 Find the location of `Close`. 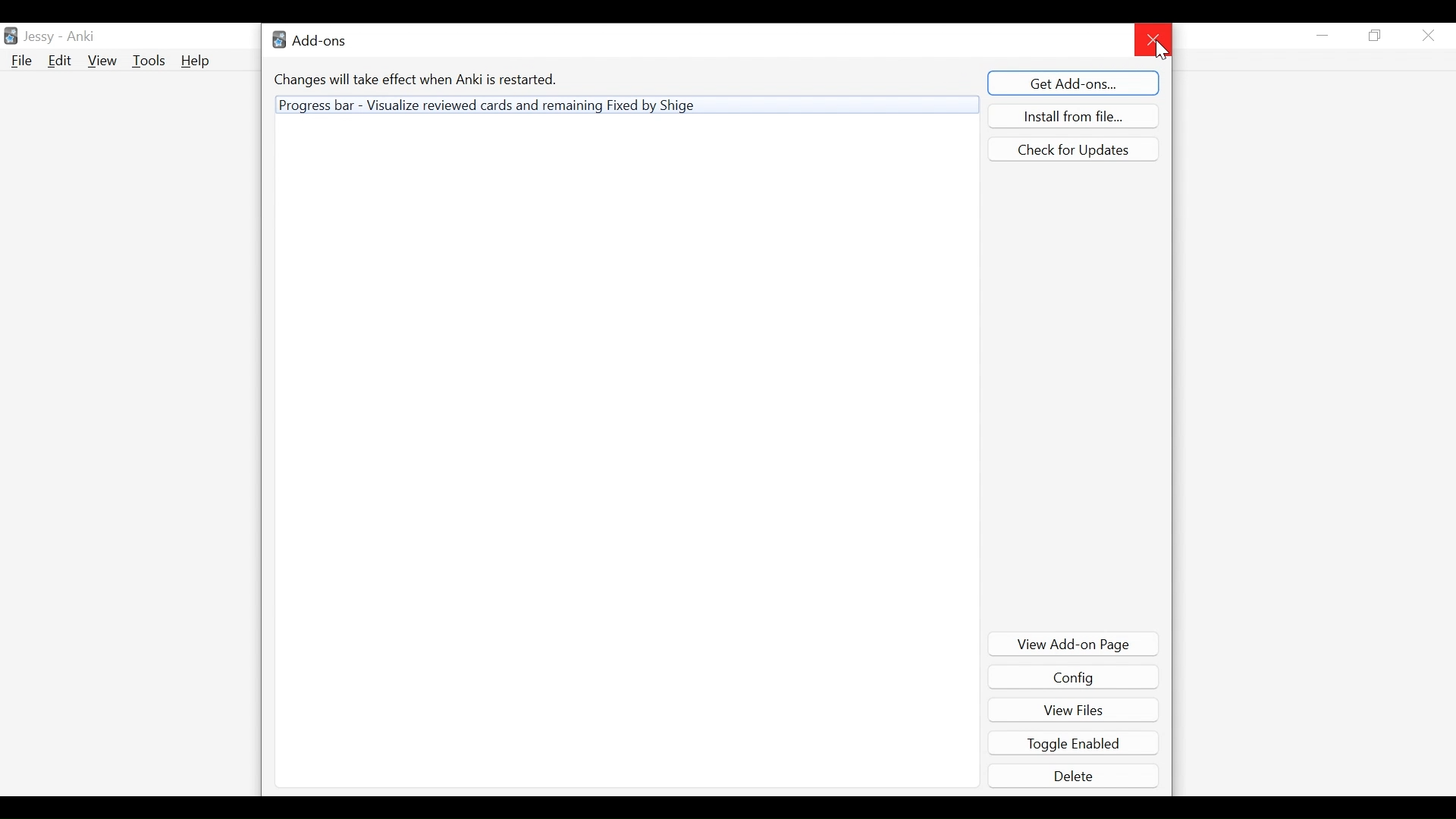

Close is located at coordinates (1428, 36).